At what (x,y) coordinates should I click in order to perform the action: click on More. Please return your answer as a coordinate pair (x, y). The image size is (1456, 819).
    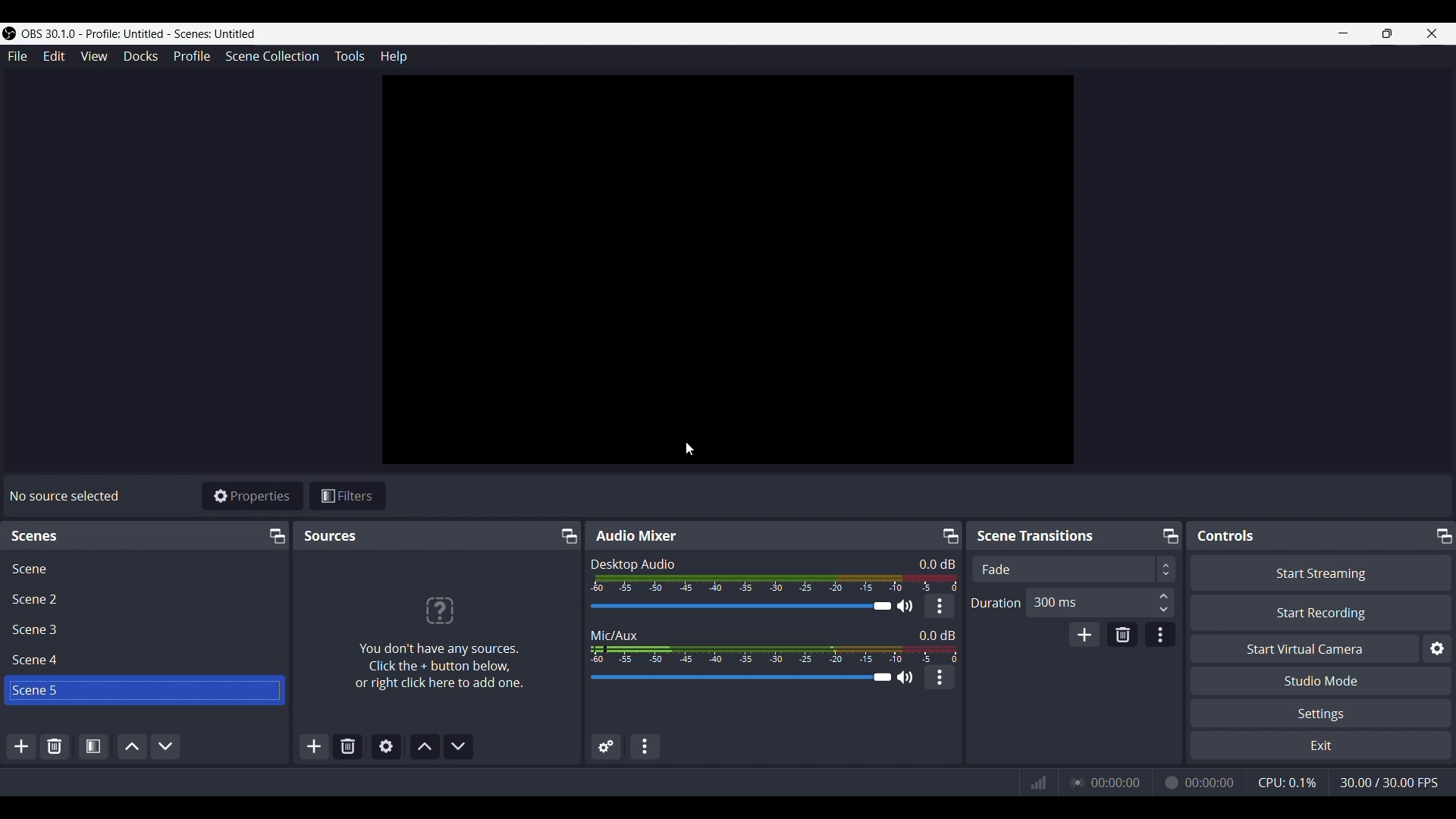
    Looking at the image, I should click on (940, 677).